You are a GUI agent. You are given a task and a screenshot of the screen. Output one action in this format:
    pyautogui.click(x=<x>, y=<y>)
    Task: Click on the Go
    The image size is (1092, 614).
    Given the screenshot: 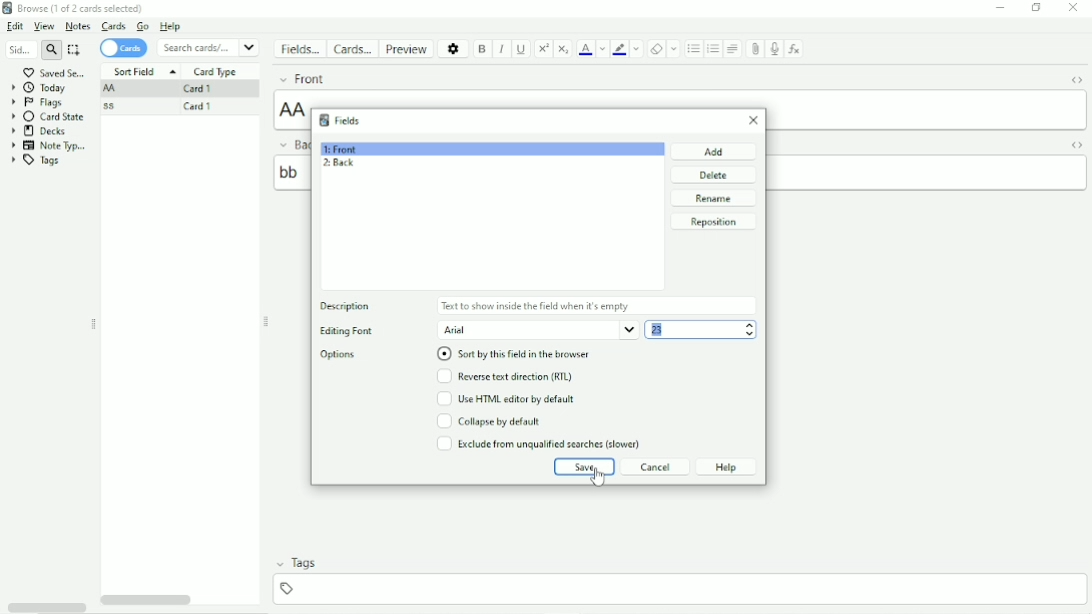 What is the action you would take?
    pyautogui.click(x=144, y=27)
    